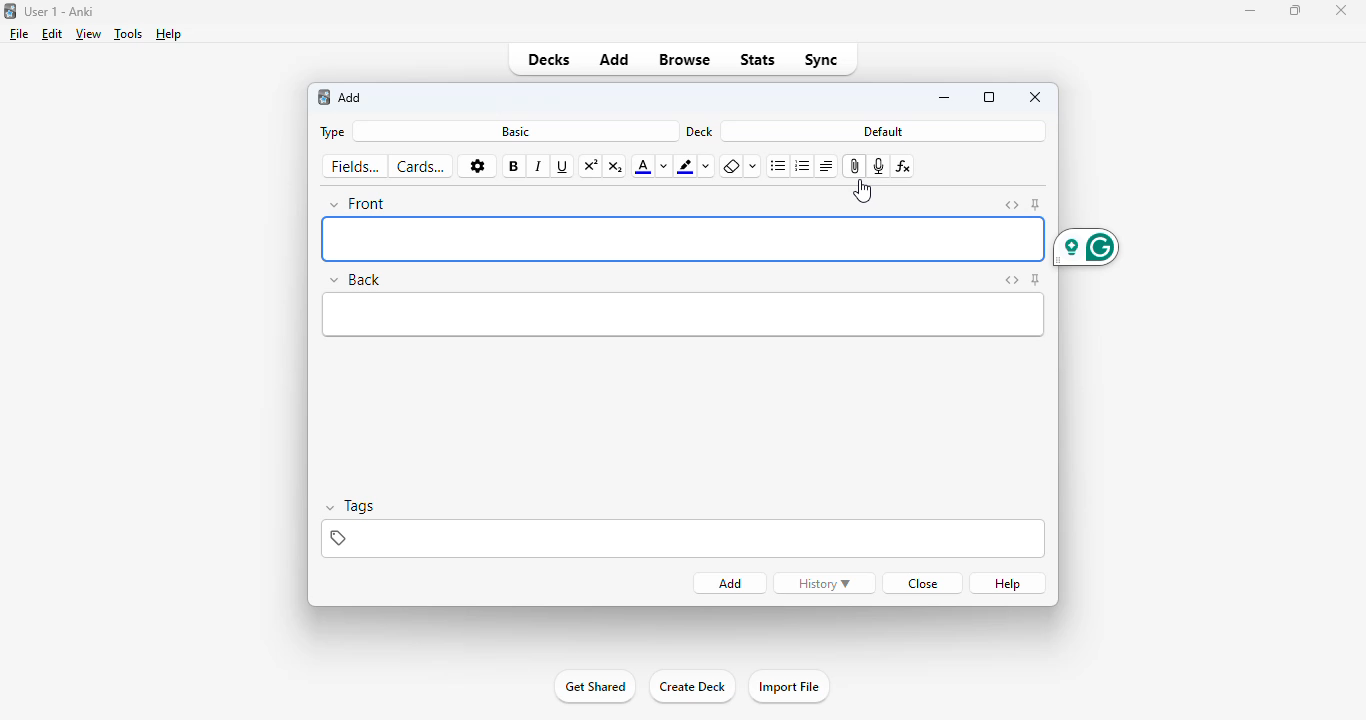  Describe the element at coordinates (879, 167) in the screenshot. I see `record audio` at that location.